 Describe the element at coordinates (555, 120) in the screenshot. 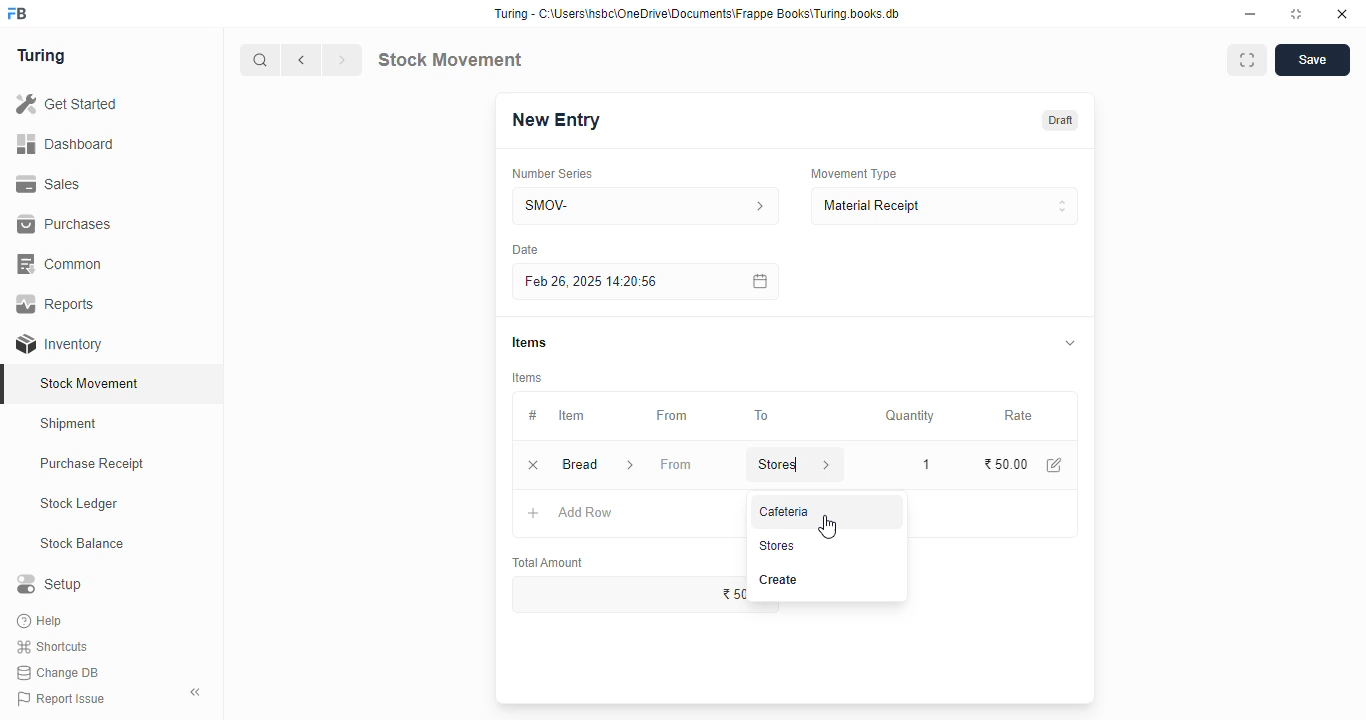

I see `new entry` at that location.